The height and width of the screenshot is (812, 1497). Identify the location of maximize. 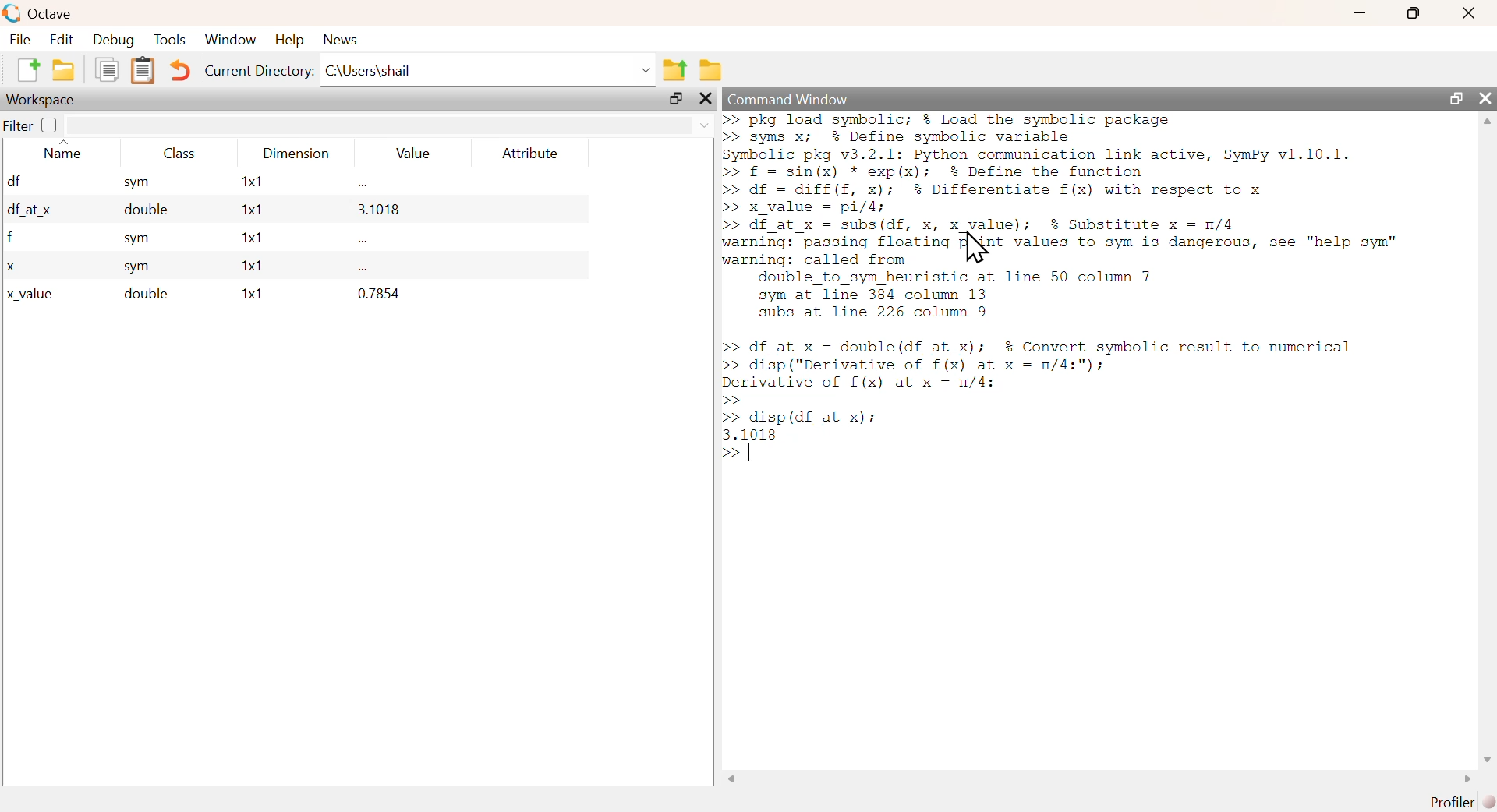
(675, 99).